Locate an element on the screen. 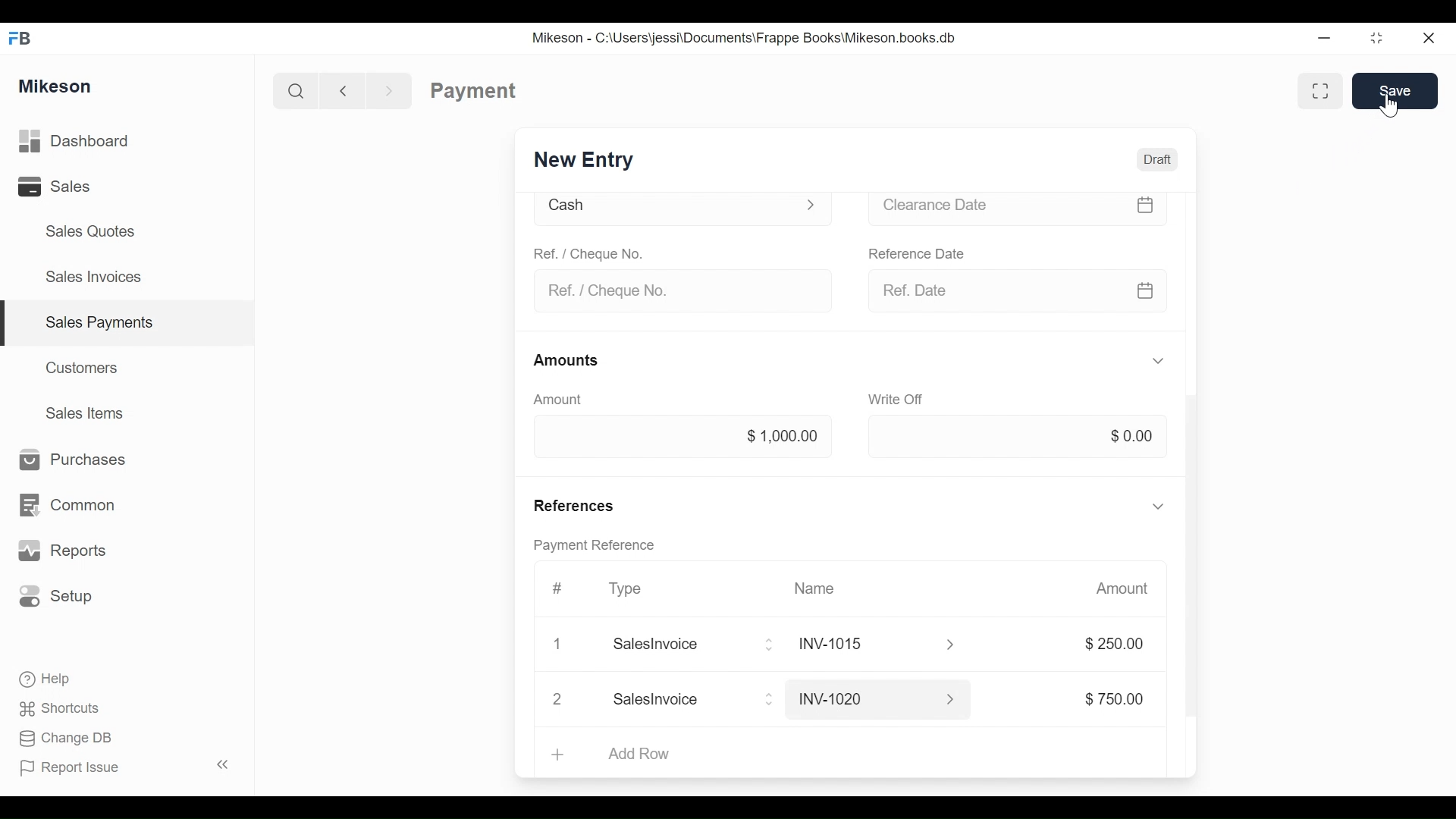  Reports is located at coordinates (65, 551).